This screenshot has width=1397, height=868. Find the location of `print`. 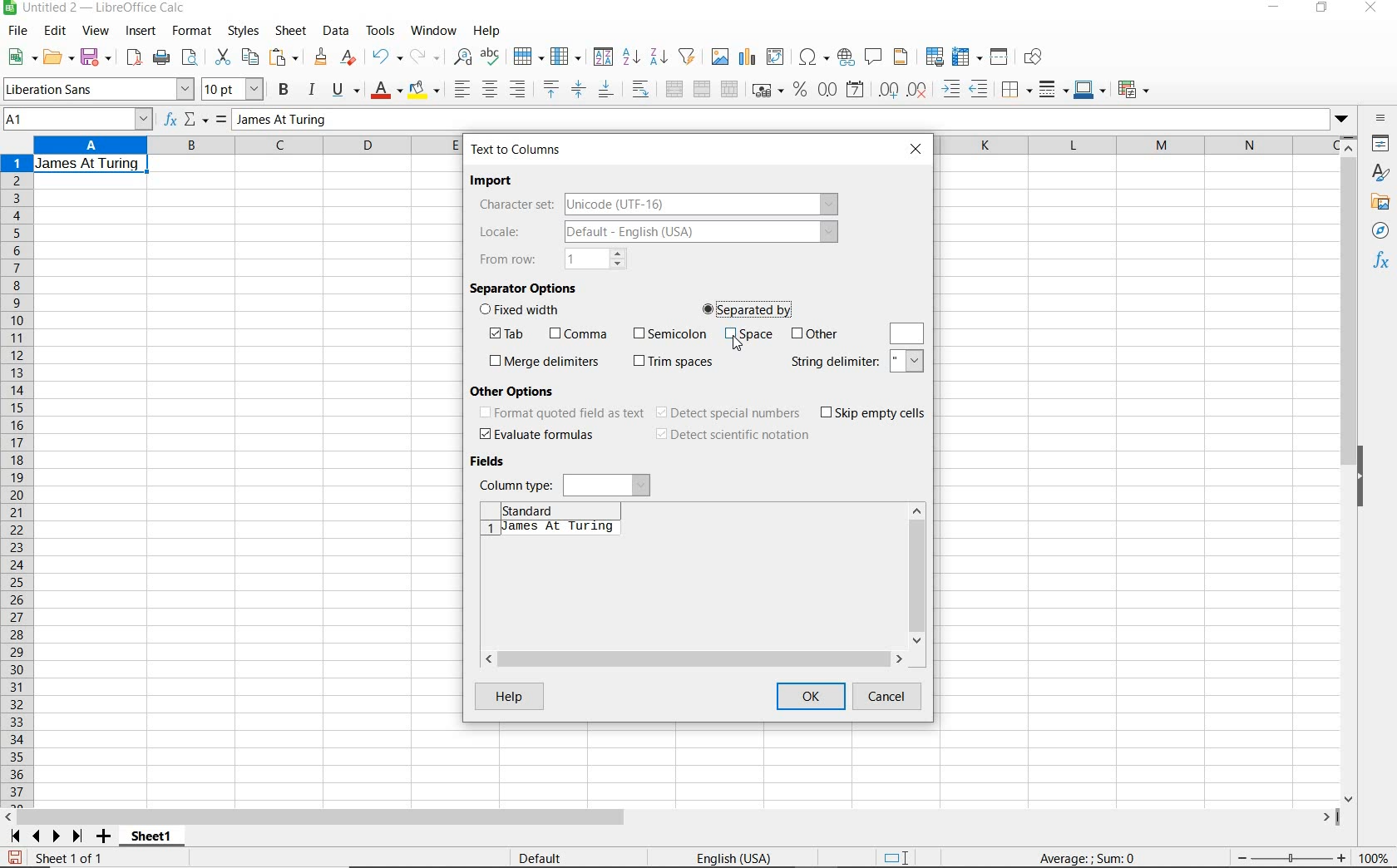

print is located at coordinates (161, 58).